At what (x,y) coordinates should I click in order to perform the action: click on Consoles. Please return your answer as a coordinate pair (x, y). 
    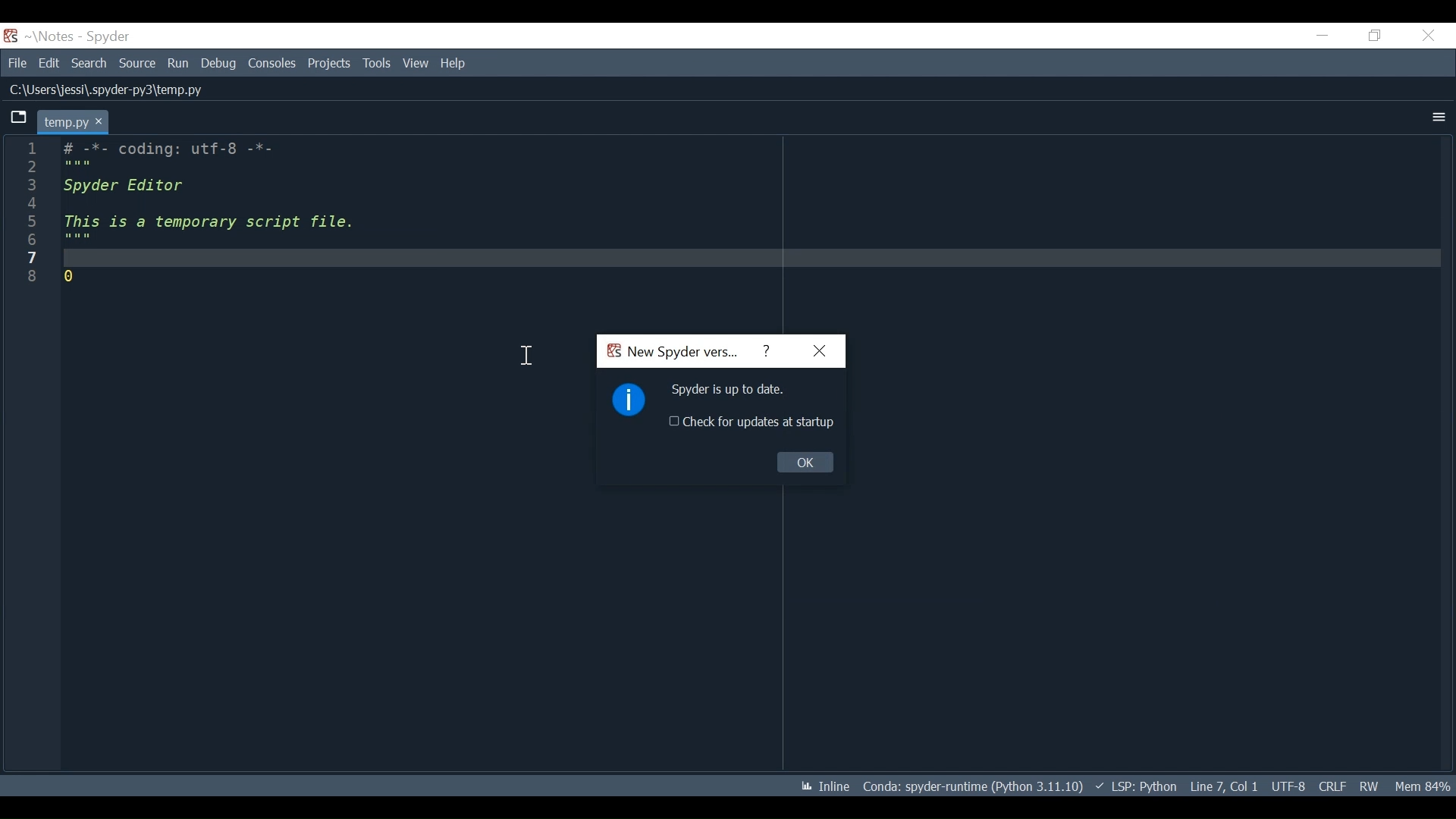
    Looking at the image, I should click on (274, 63).